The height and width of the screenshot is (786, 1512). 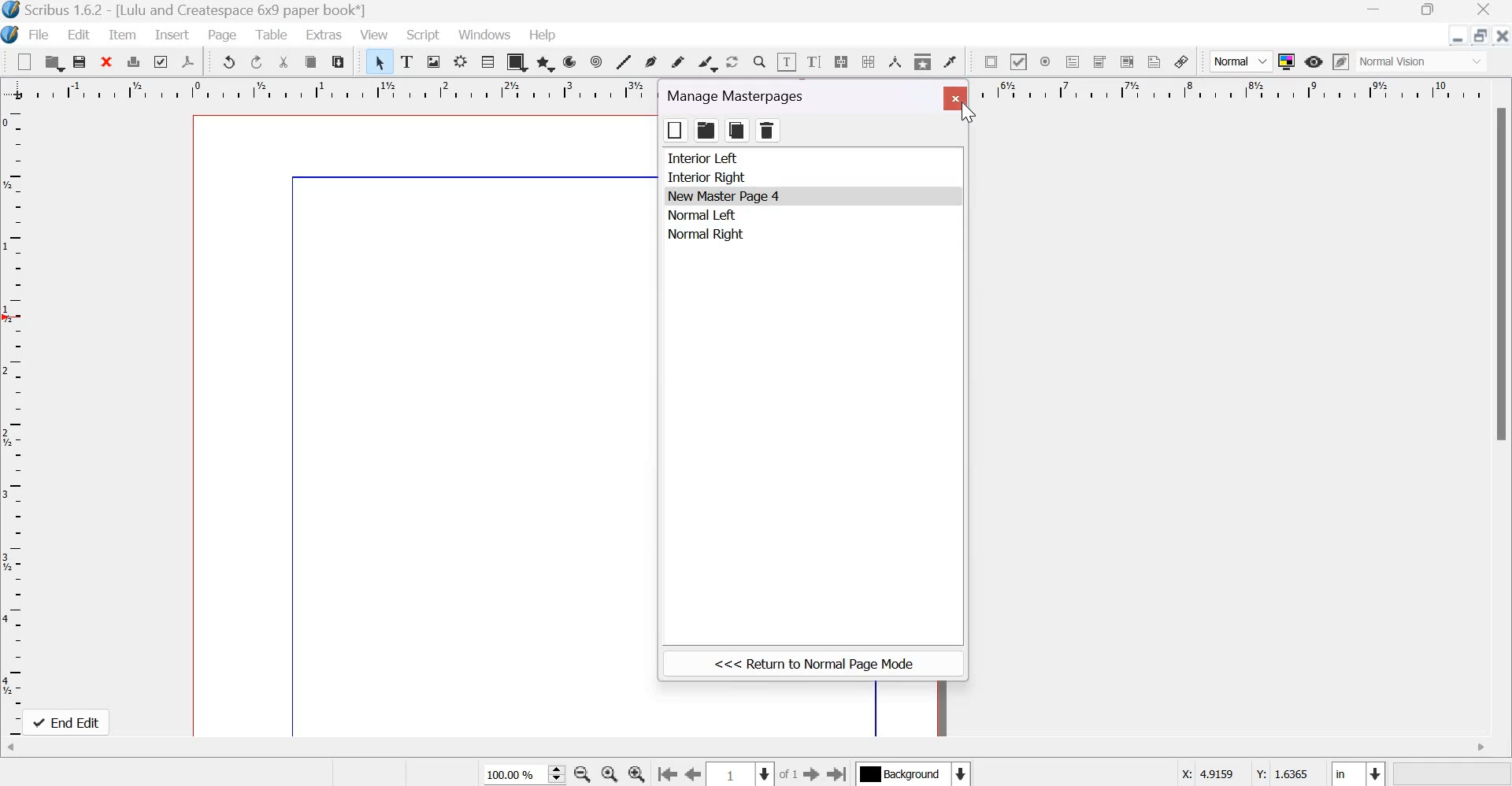 What do you see at coordinates (572, 61) in the screenshot?
I see `arc` at bounding box center [572, 61].